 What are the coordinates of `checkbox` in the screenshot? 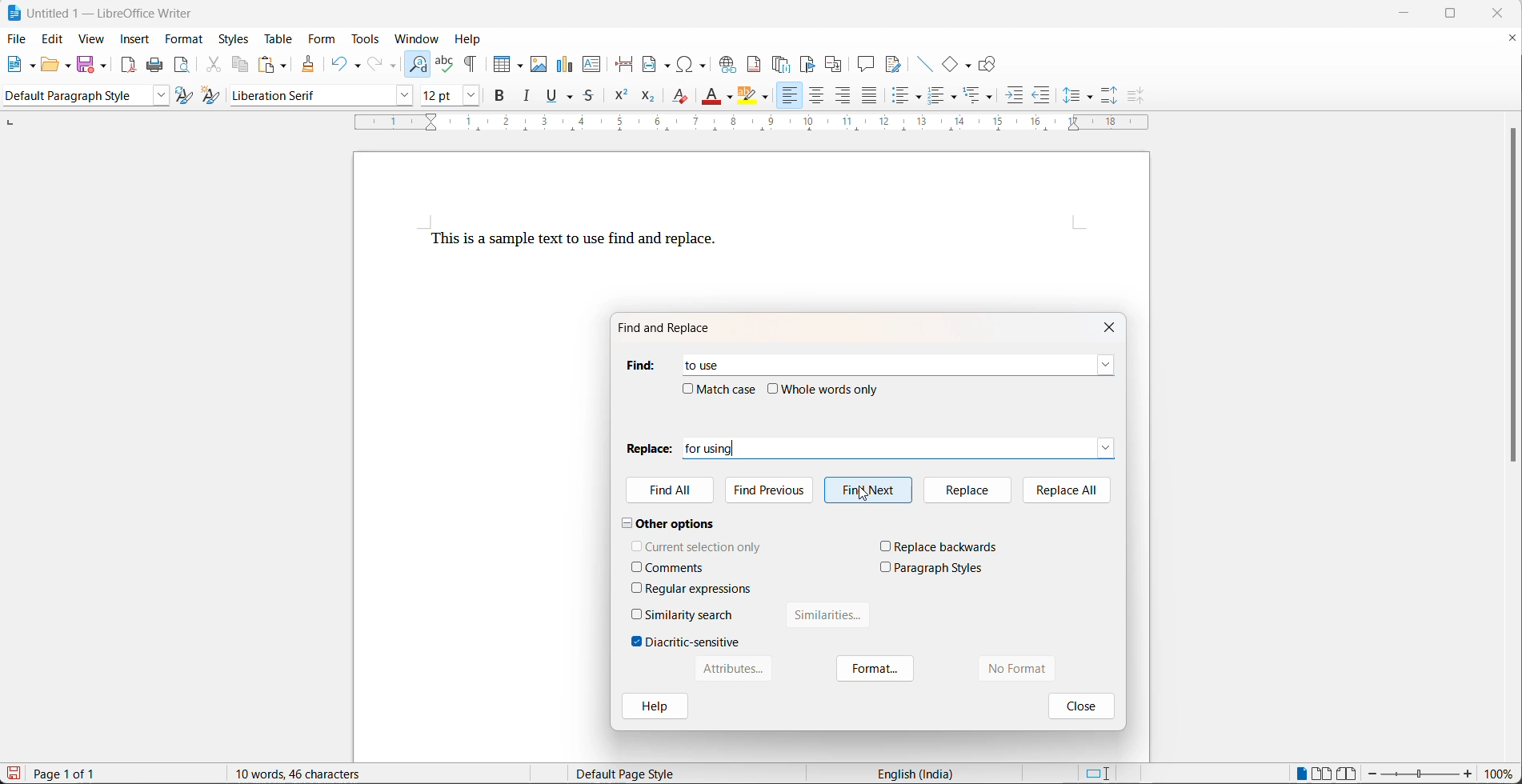 It's located at (886, 566).